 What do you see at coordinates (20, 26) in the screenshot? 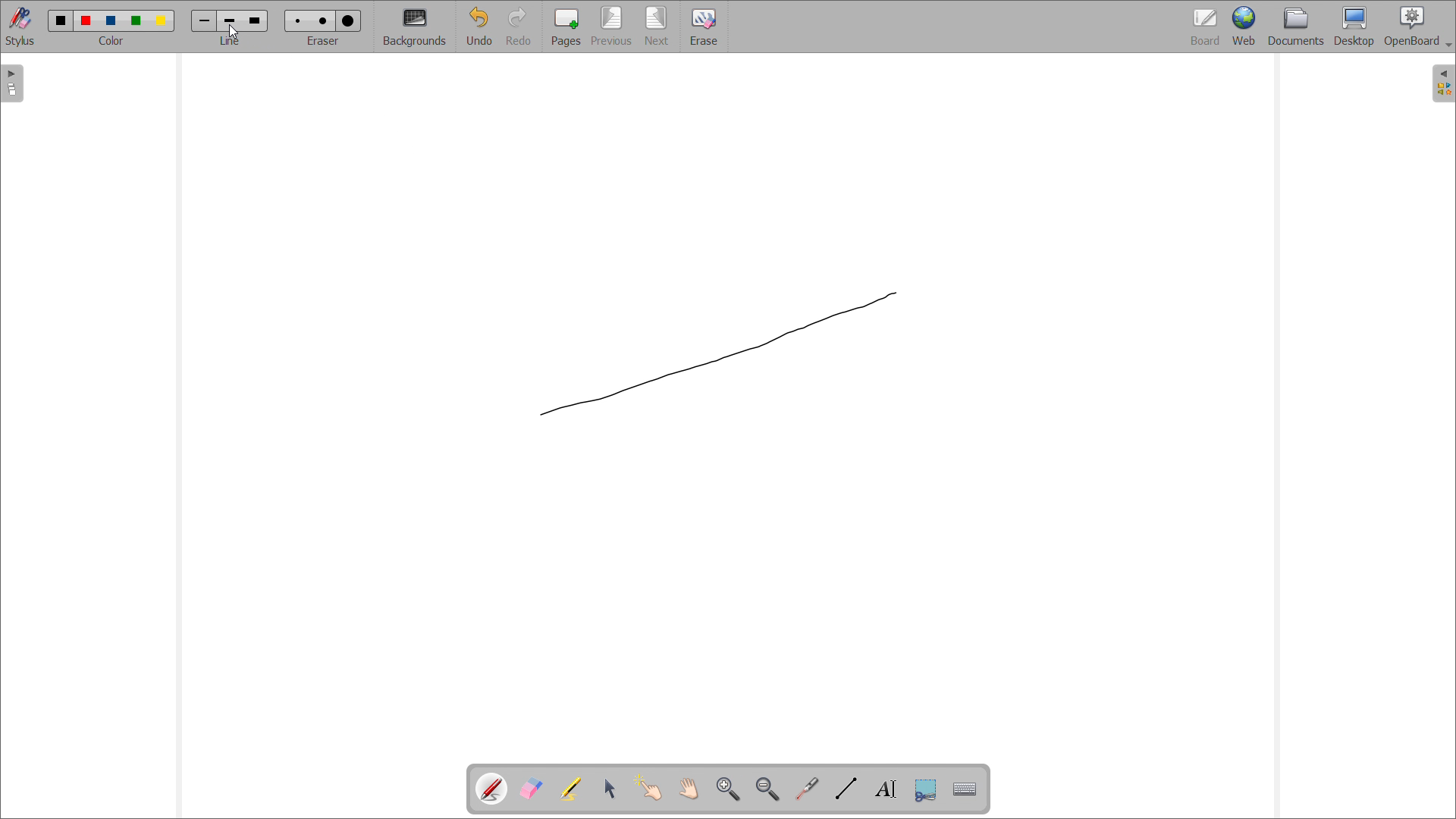
I see `toggle stylus` at bounding box center [20, 26].